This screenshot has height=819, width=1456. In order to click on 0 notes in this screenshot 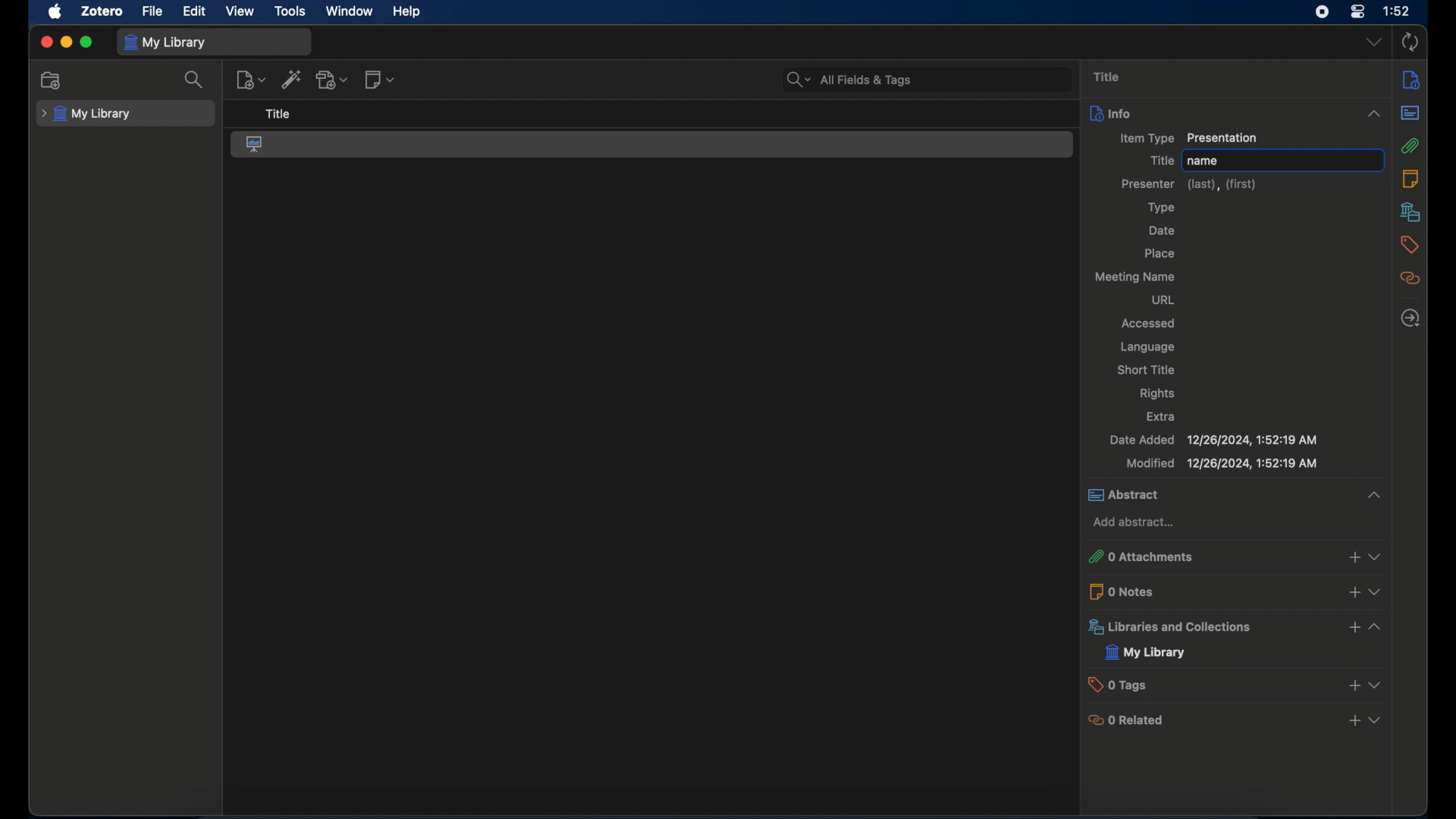, I will do `click(1235, 591)`.